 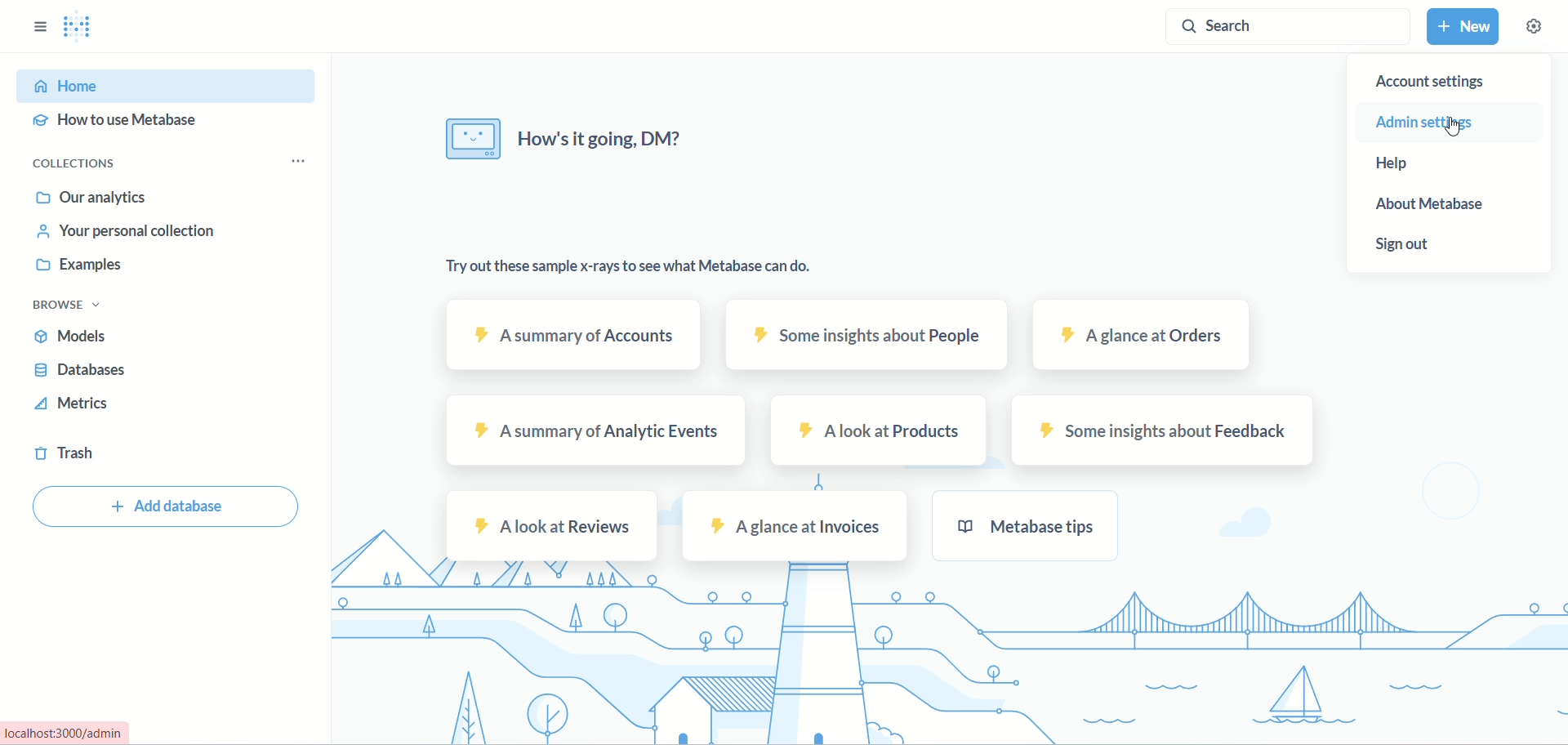 What do you see at coordinates (67, 453) in the screenshot?
I see `trash` at bounding box center [67, 453].